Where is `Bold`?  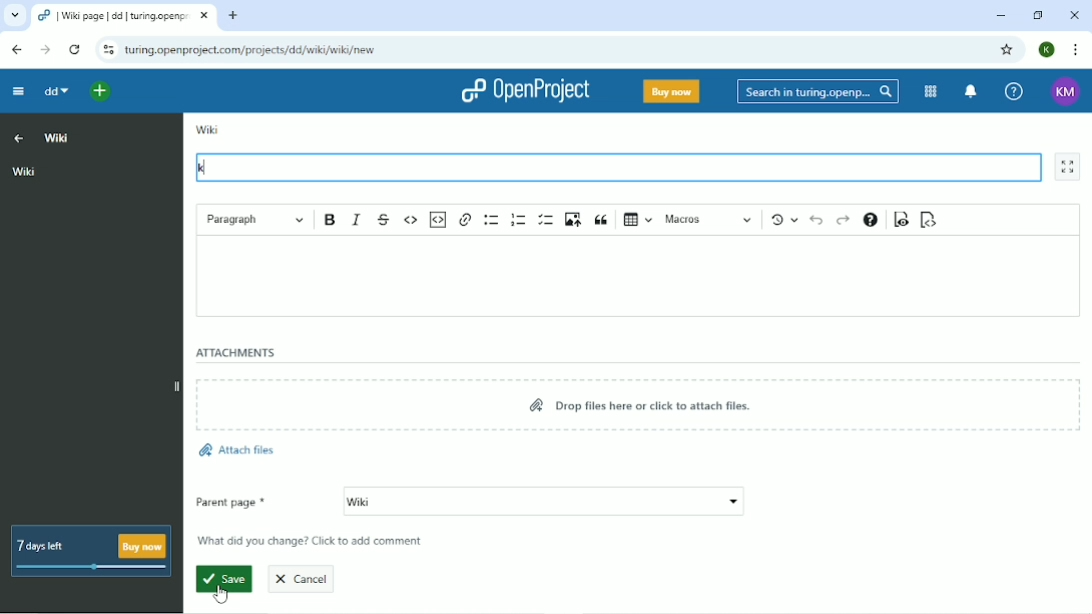
Bold is located at coordinates (330, 219).